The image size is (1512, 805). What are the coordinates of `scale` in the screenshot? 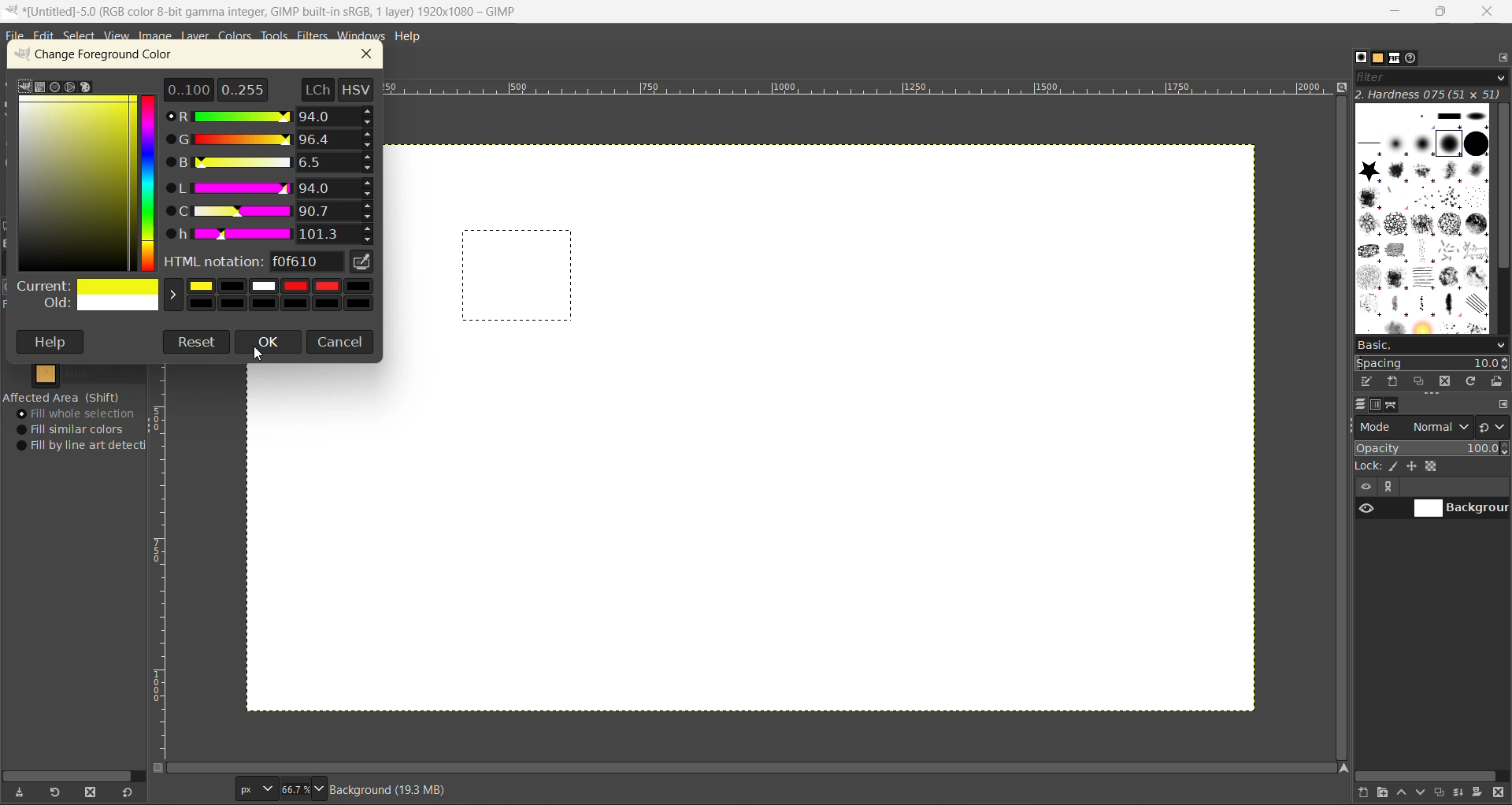 It's located at (862, 91).